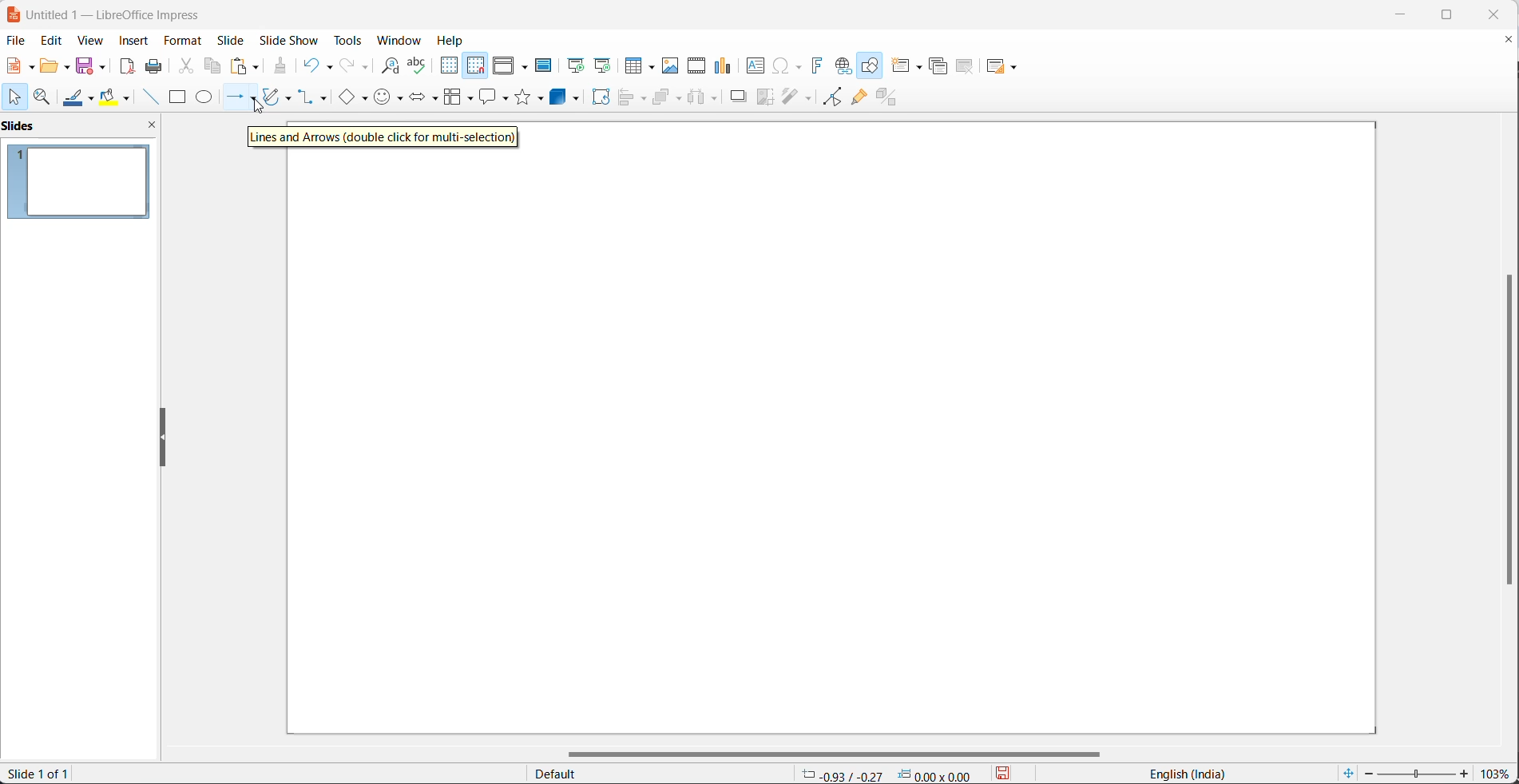 This screenshot has height=784, width=1519. Describe the element at coordinates (965, 67) in the screenshot. I see `delete slide ` at that location.